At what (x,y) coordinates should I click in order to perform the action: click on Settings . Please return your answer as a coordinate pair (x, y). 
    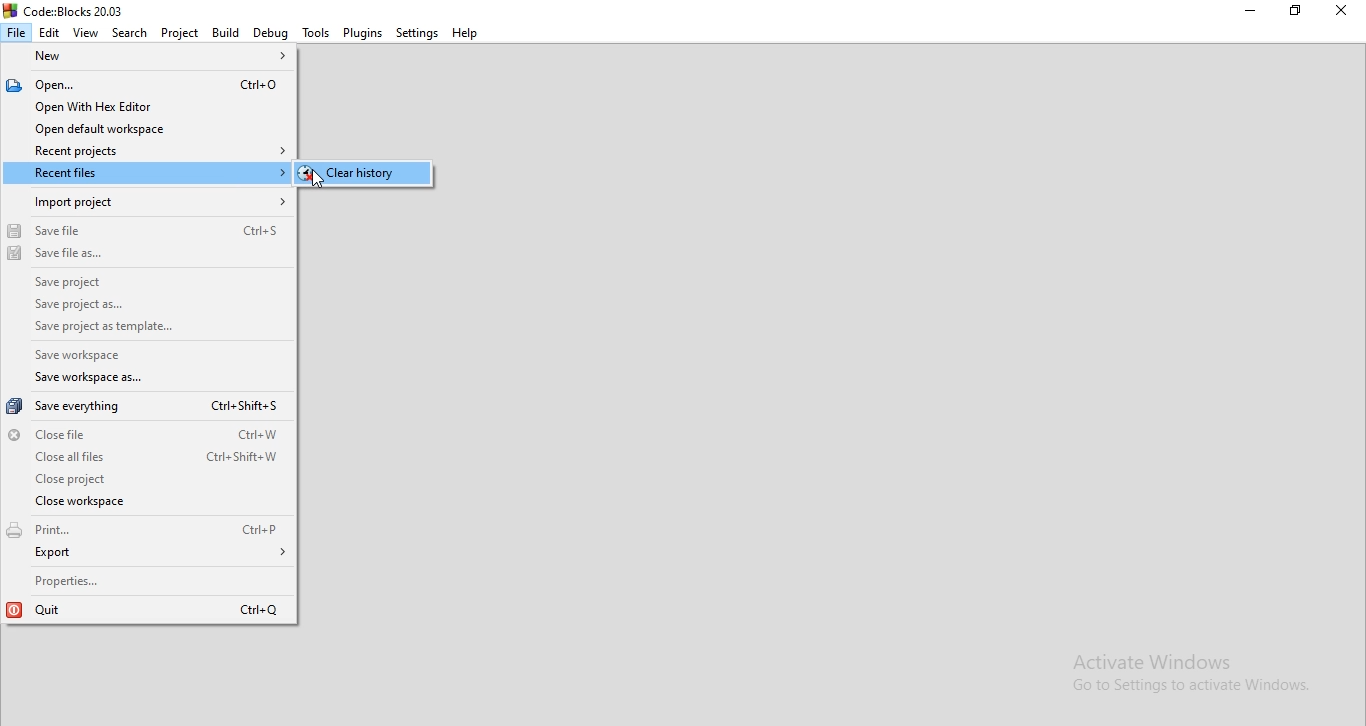
    Looking at the image, I should click on (417, 34).